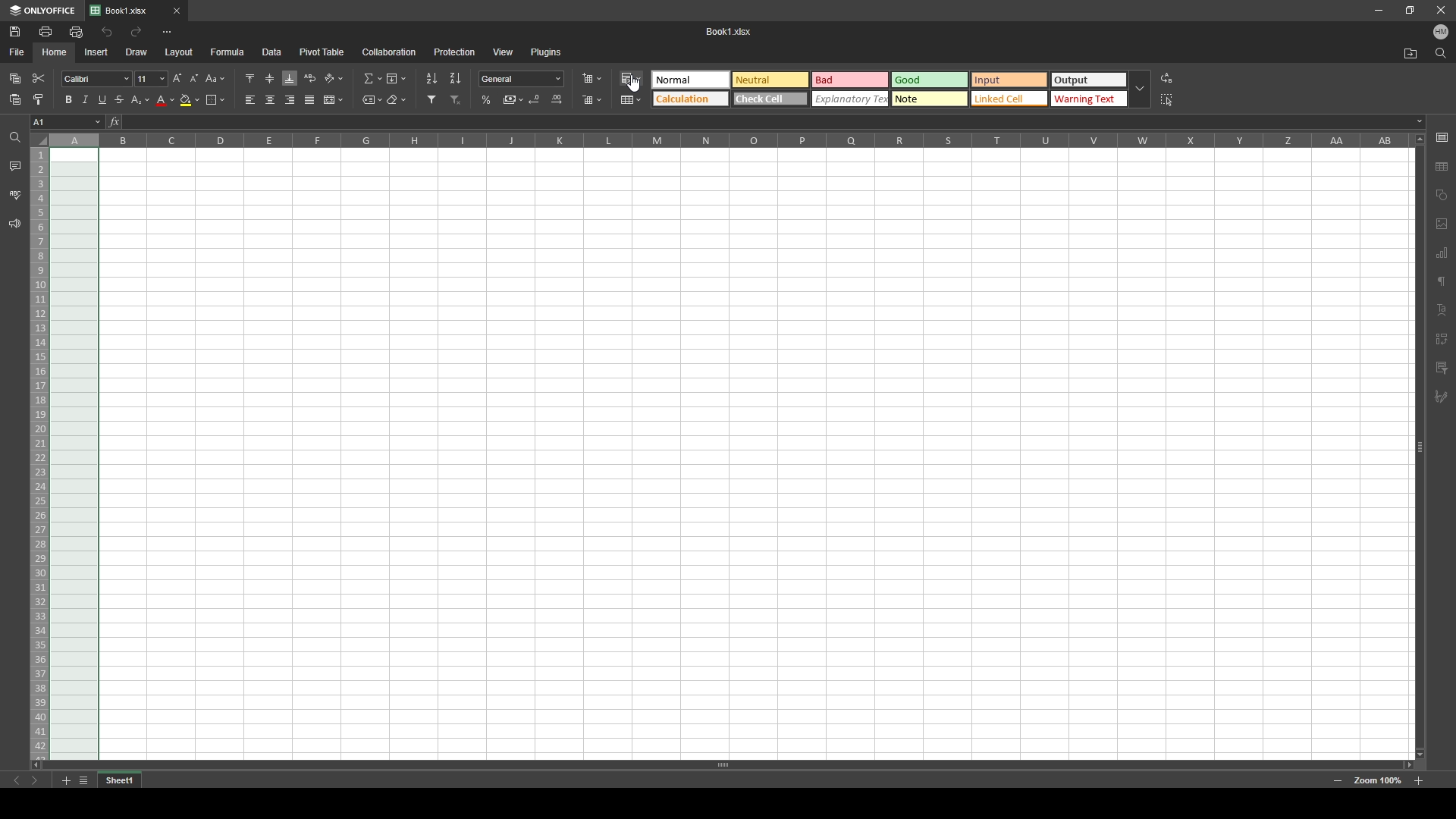  I want to click on insert, so click(93, 52).